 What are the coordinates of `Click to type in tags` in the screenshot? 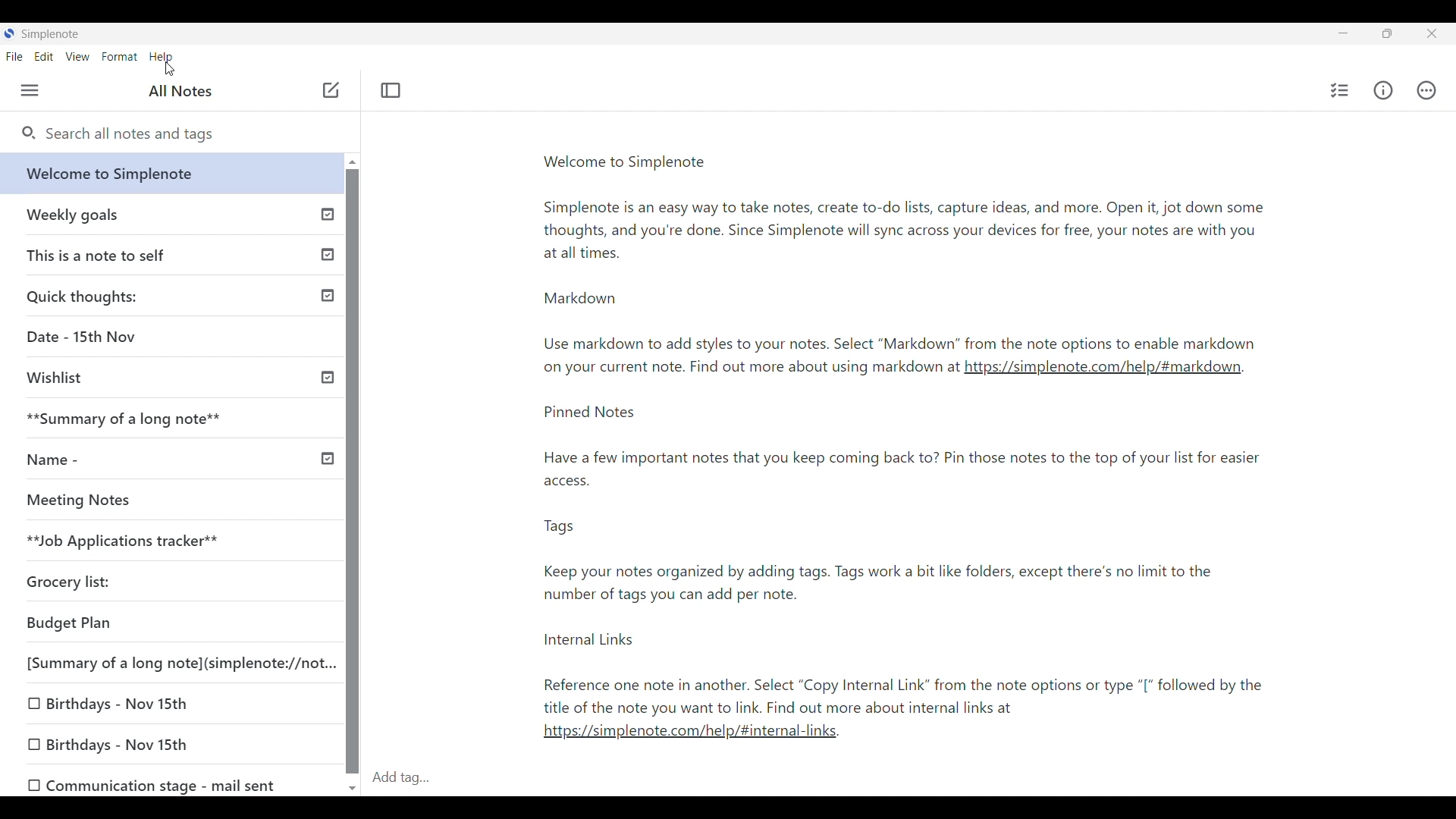 It's located at (912, 779).